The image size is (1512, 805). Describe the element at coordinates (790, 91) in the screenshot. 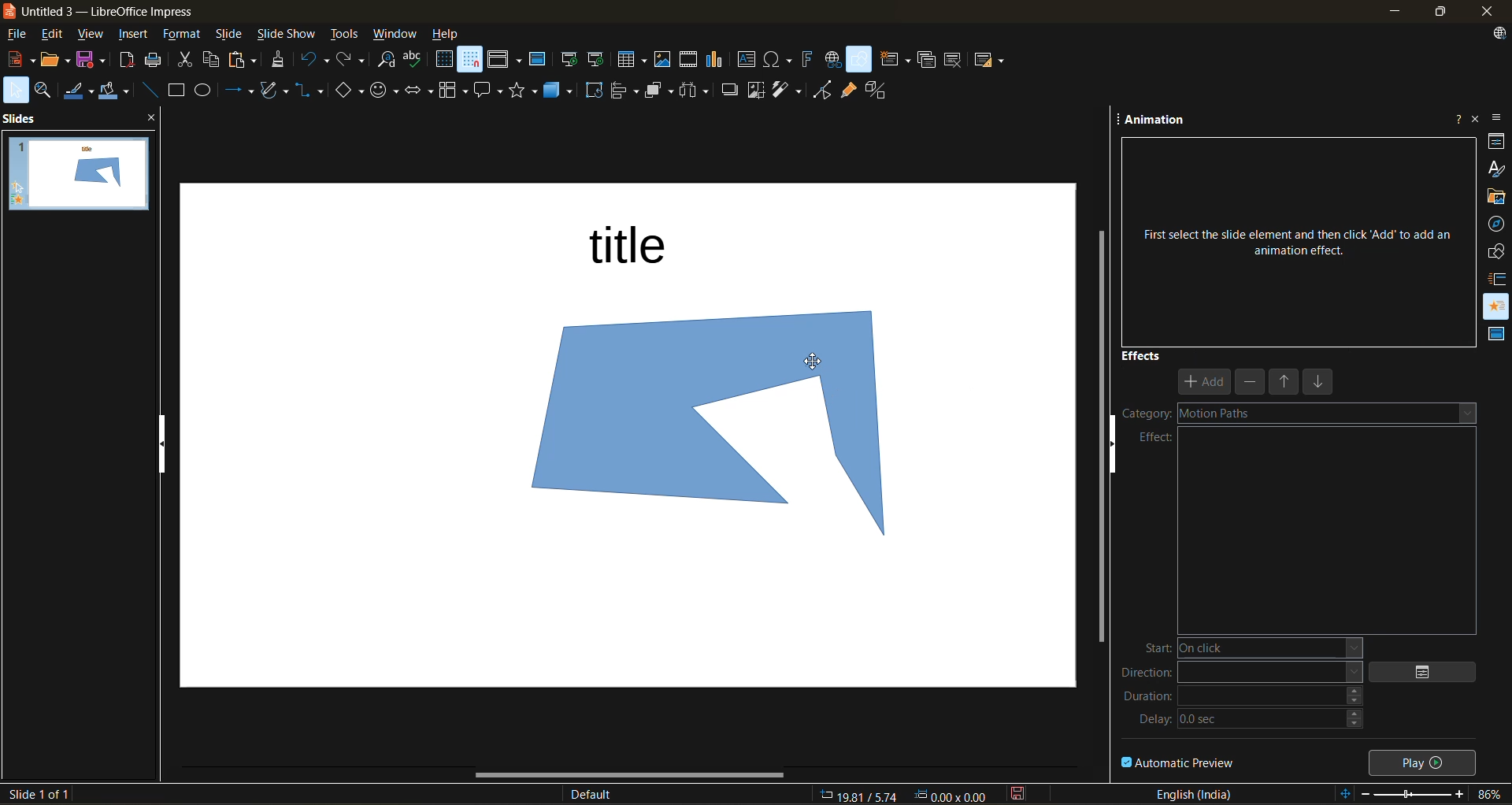

I see `filter` at that location.